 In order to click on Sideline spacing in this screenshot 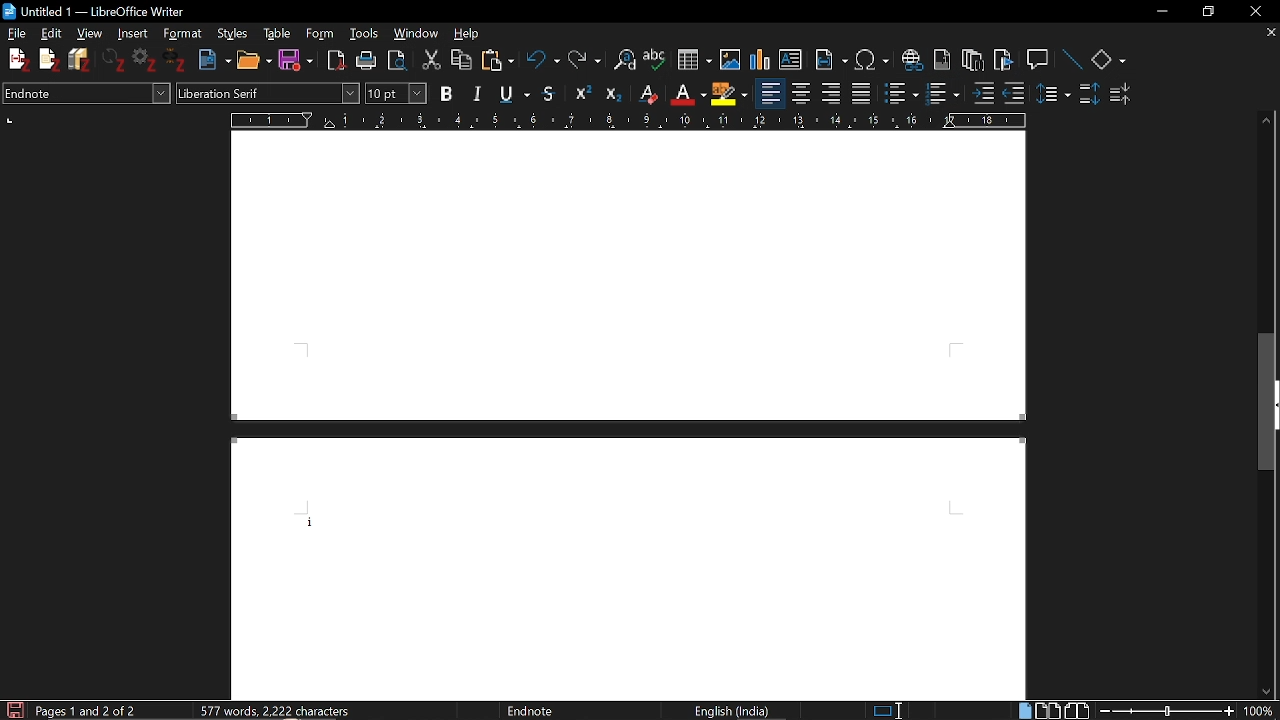, I will do `click(1054, 95)`.